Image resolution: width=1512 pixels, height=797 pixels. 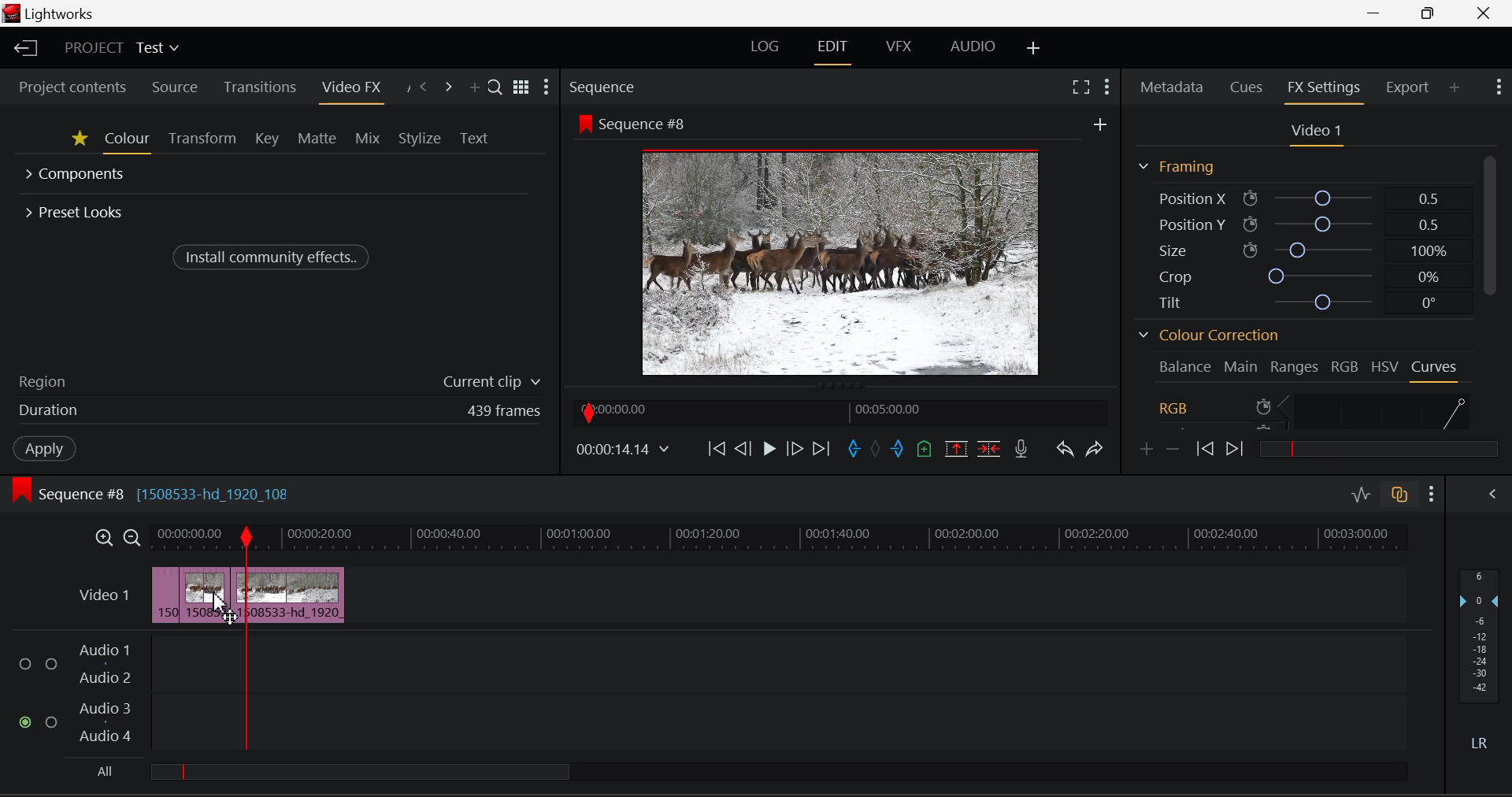 What do you see at coordinates (174, 87) in the screenshot?
I see `Source` at bounding box center [174, 87].